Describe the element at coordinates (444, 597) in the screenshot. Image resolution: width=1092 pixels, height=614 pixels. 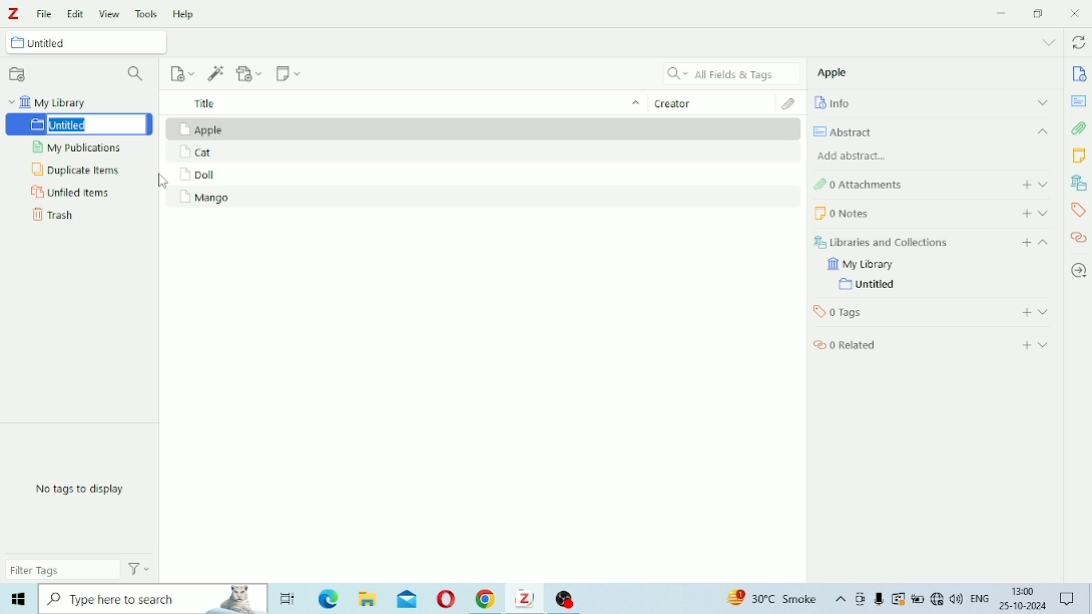
I see `` at that location.